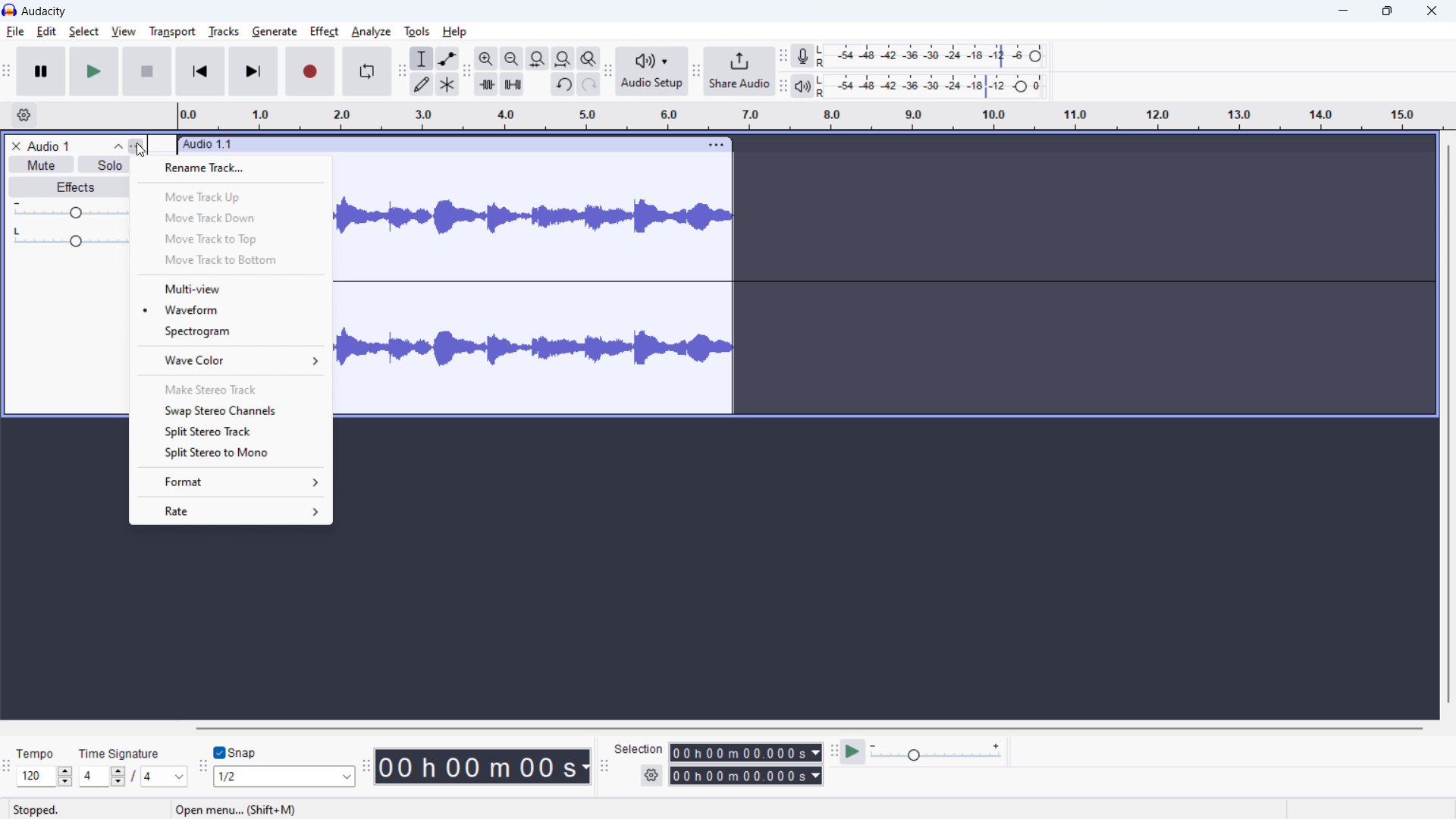  Describe the element at coordinates (604, 767) in the screenshot. I see `selection toolbar` at that location.